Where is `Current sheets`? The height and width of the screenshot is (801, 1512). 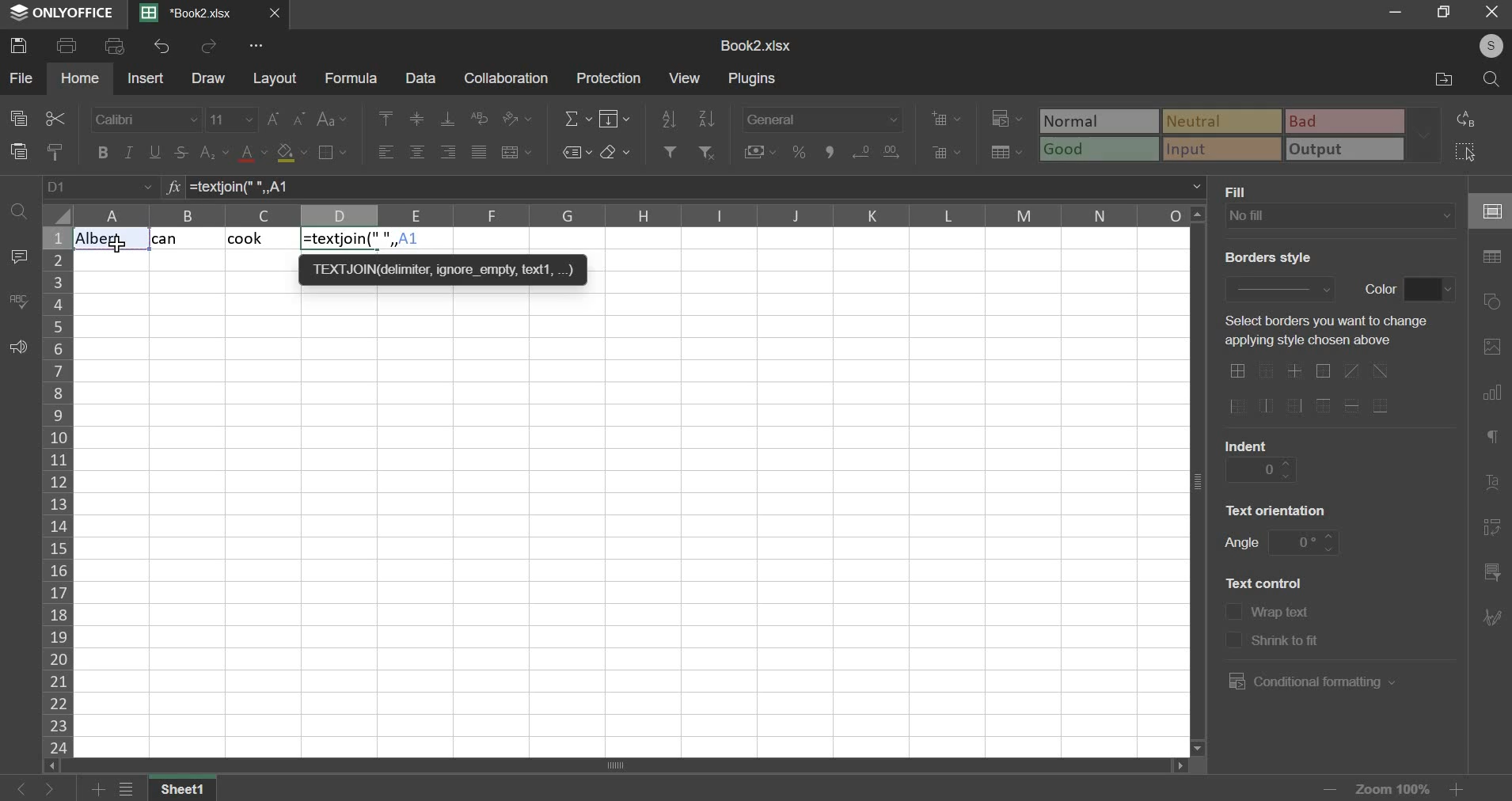
Current sheets is located at coordinates (194, 13).